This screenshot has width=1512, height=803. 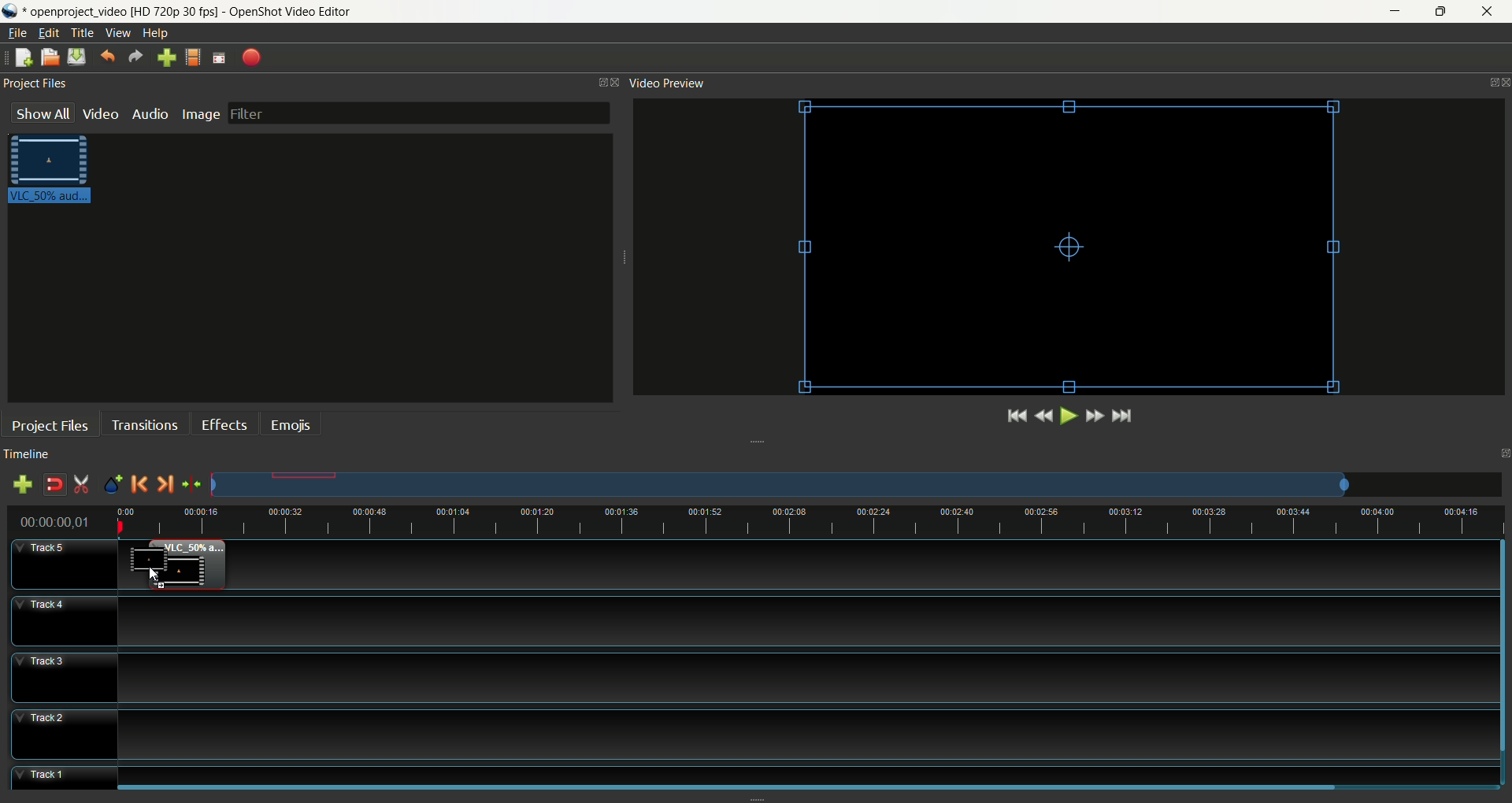 What do you see at coordinates (1502, 453) in the screenshot?
I see `maximize` at bounding box center [1502, 453].